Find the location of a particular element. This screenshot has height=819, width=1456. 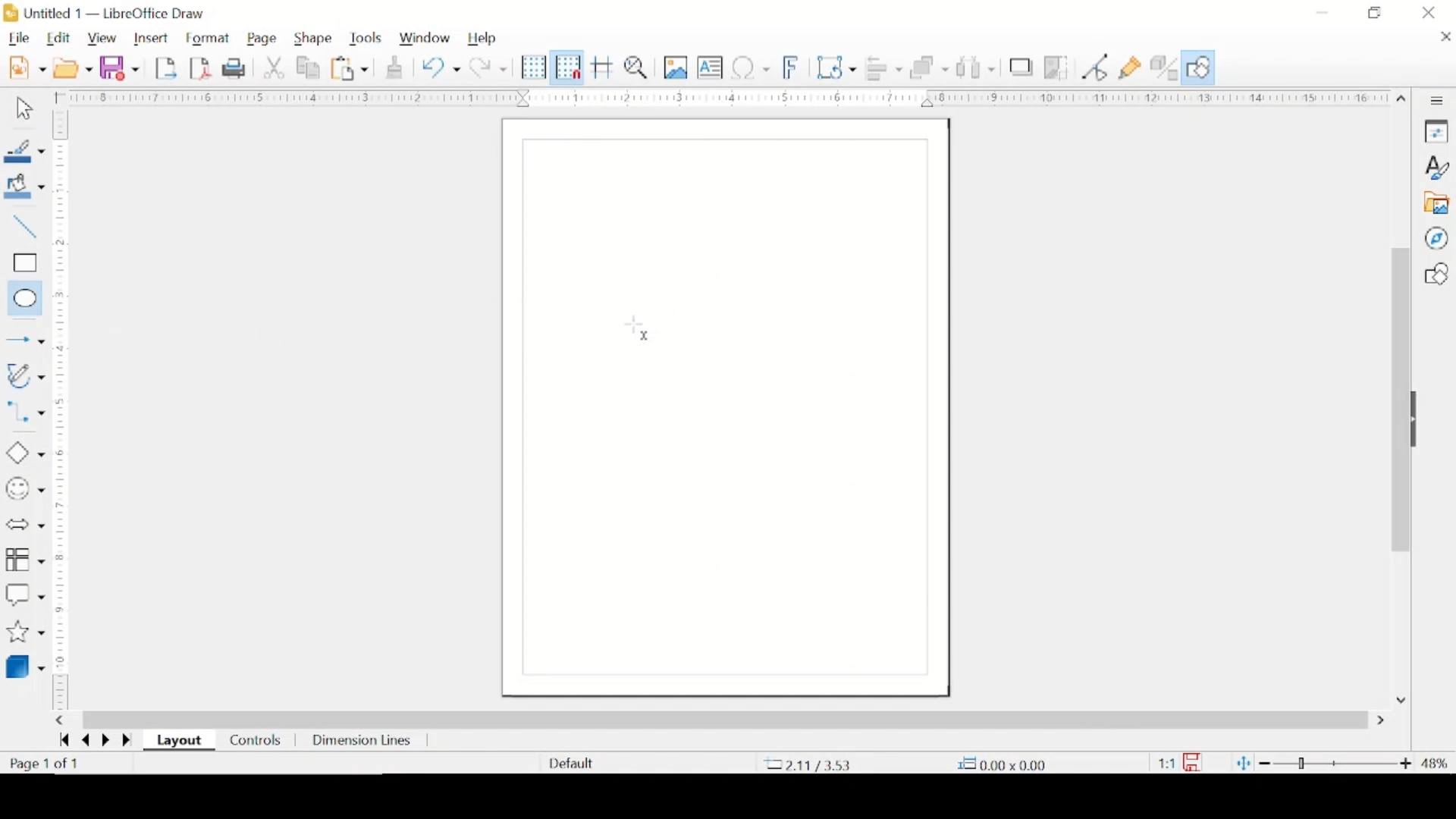

margin is located at coordinates (730, 97).